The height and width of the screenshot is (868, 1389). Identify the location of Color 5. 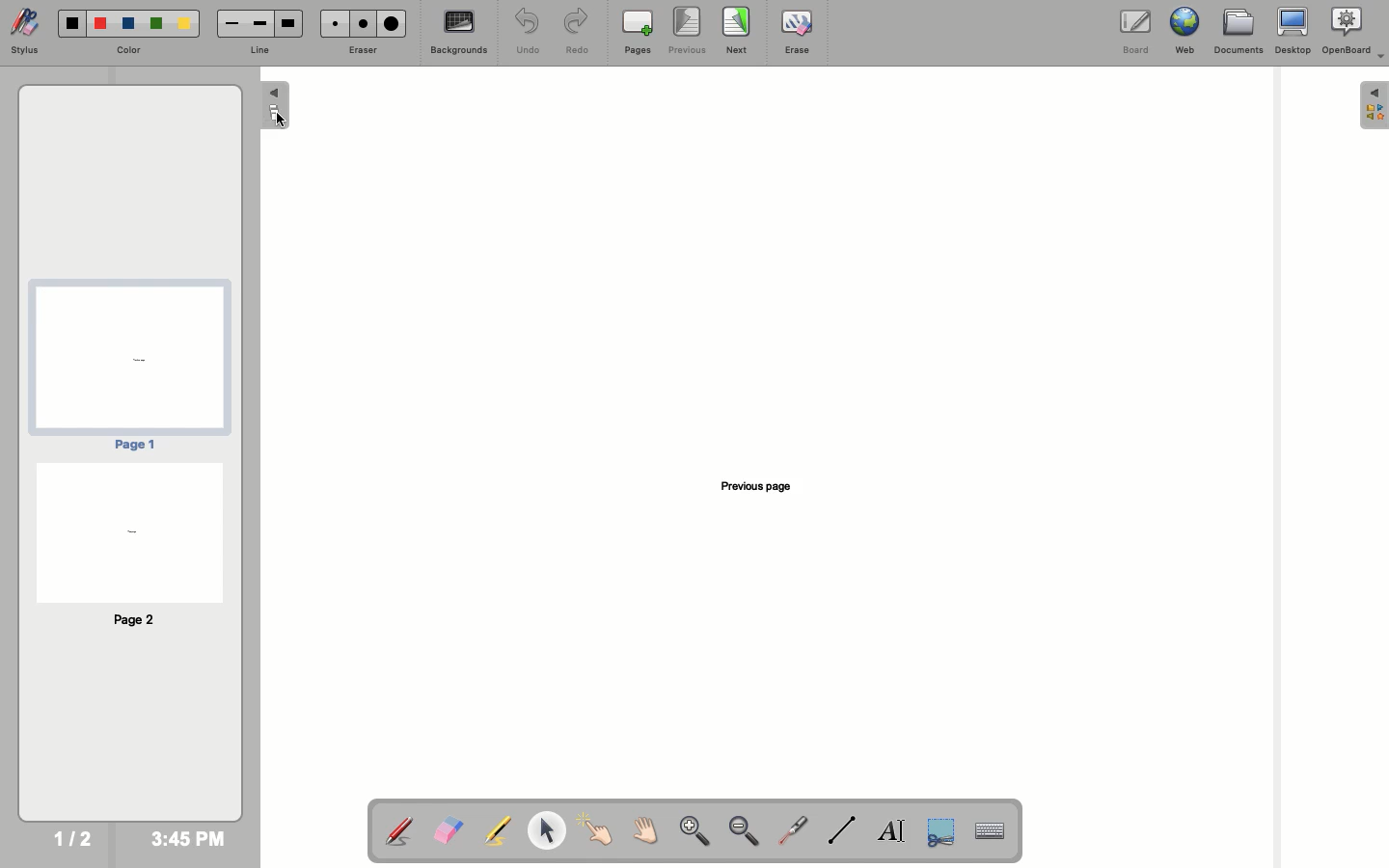
(184, 24).